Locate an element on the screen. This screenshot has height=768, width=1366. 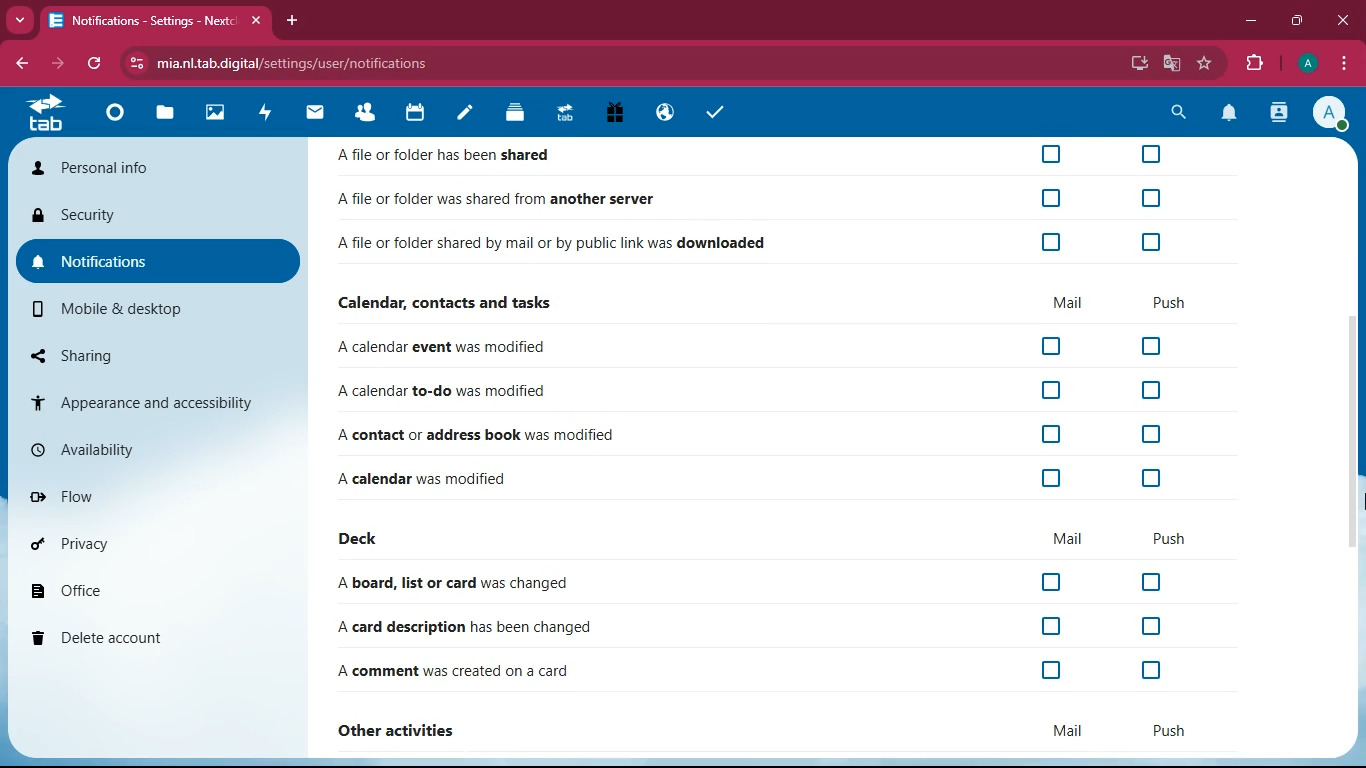
activity is located at coordinates (1280, 114).